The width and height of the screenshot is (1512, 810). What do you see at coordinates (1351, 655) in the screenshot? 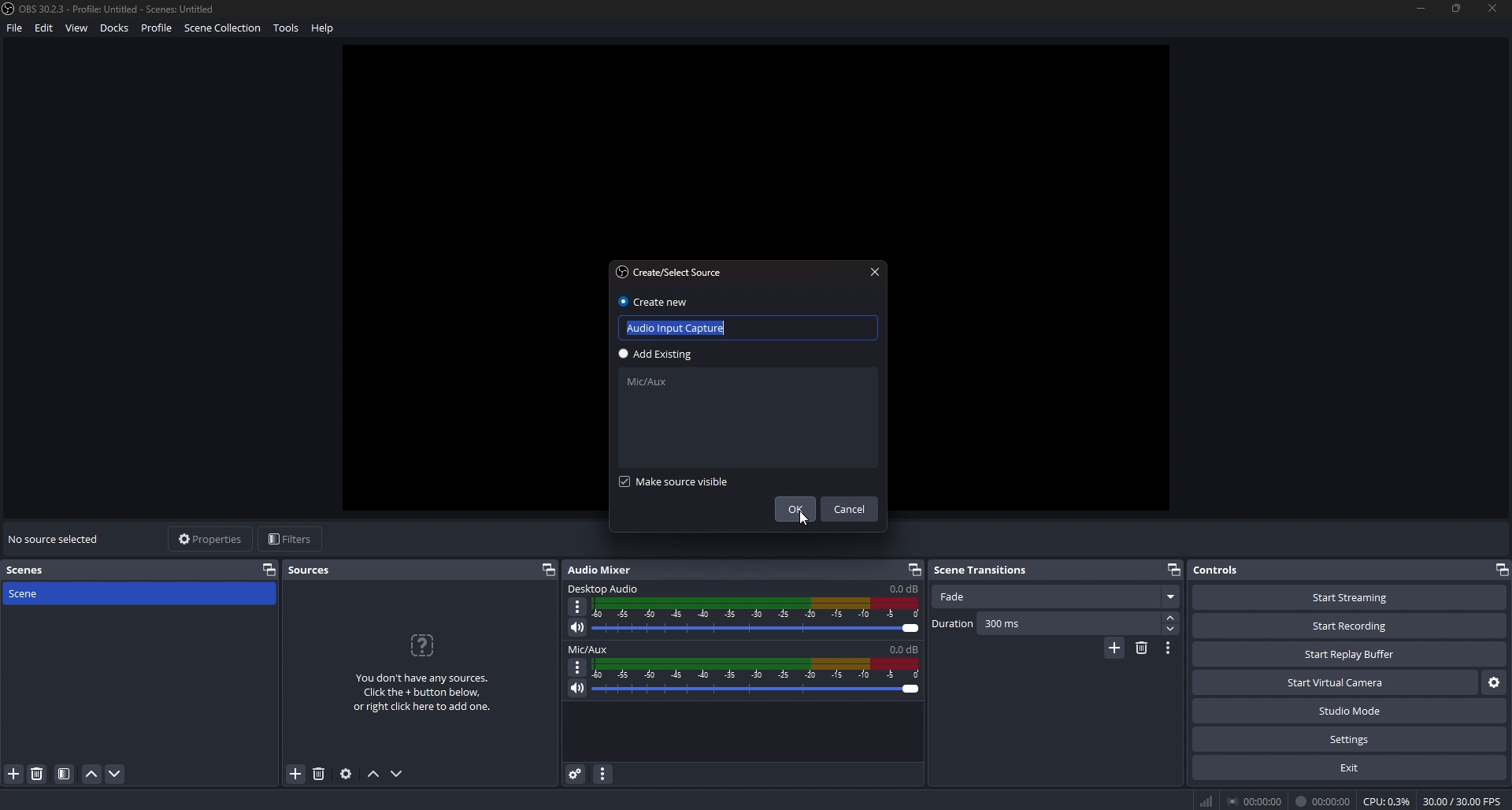
I see `start replay buffer` at bounding box center [1351, 655].